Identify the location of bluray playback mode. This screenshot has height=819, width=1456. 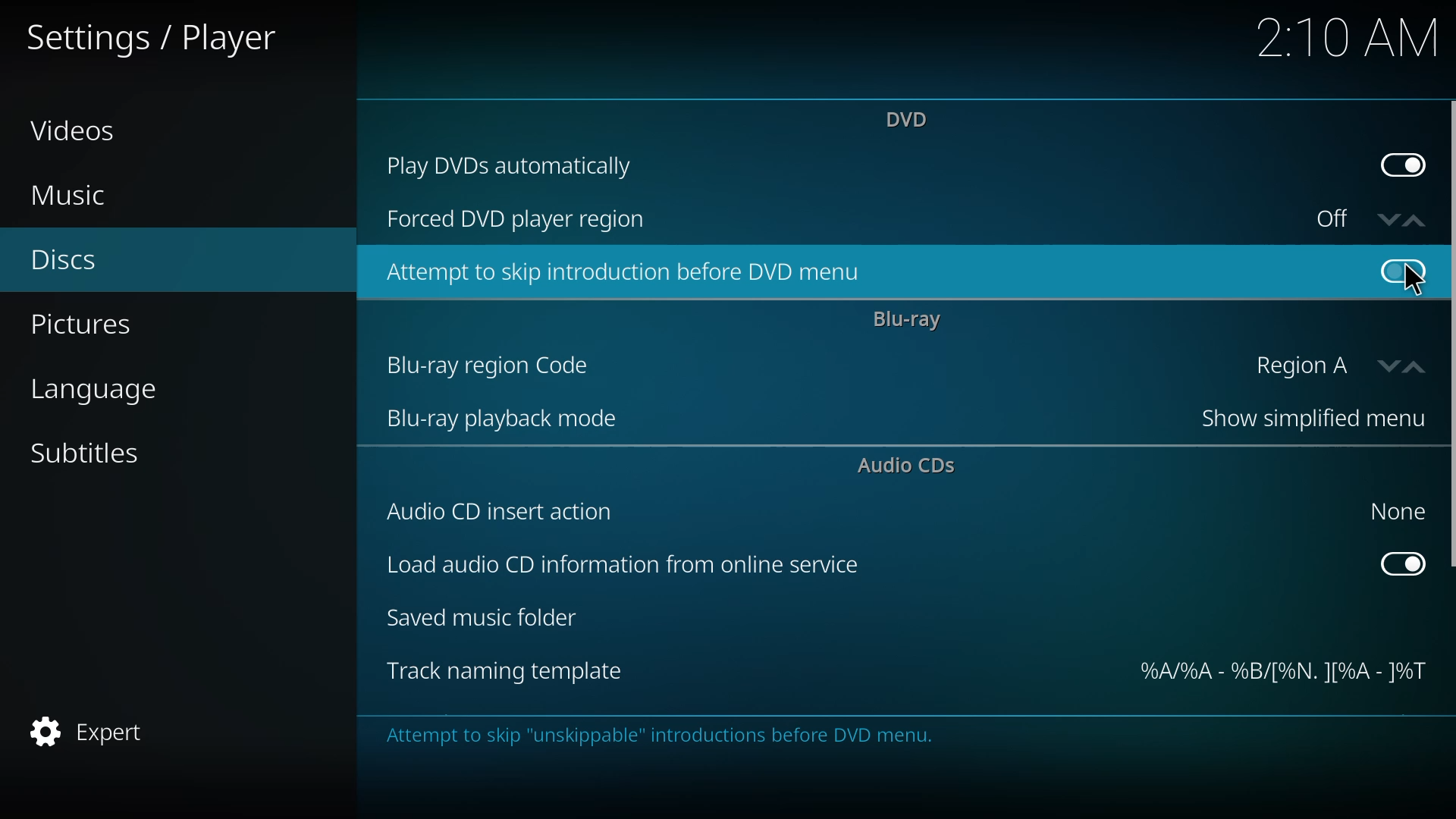
(512, 416).